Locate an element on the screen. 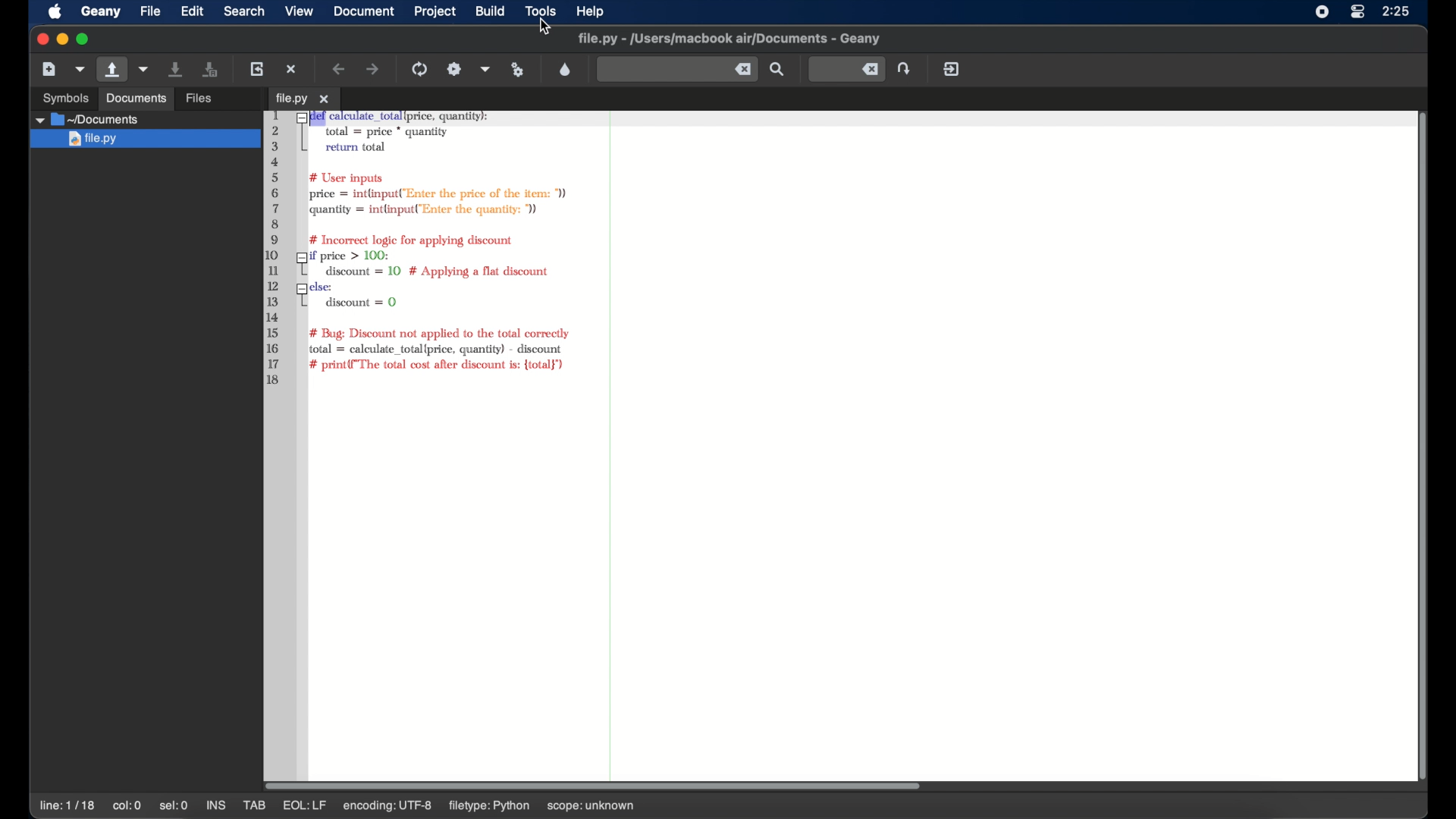 Image resolution: width=1456 pixels, height=819 pixels. ins is located at coordinates (217, 805).